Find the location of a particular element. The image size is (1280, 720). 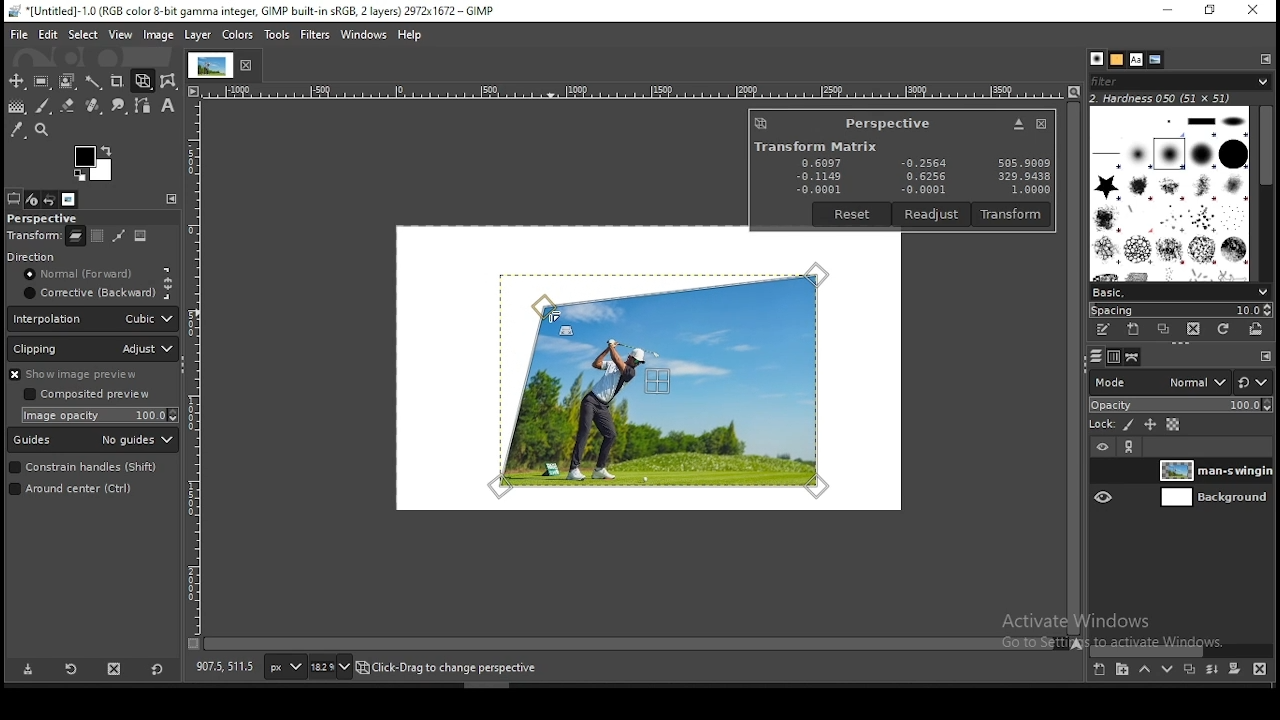

gradient tool is located at coordinates (20, 107).